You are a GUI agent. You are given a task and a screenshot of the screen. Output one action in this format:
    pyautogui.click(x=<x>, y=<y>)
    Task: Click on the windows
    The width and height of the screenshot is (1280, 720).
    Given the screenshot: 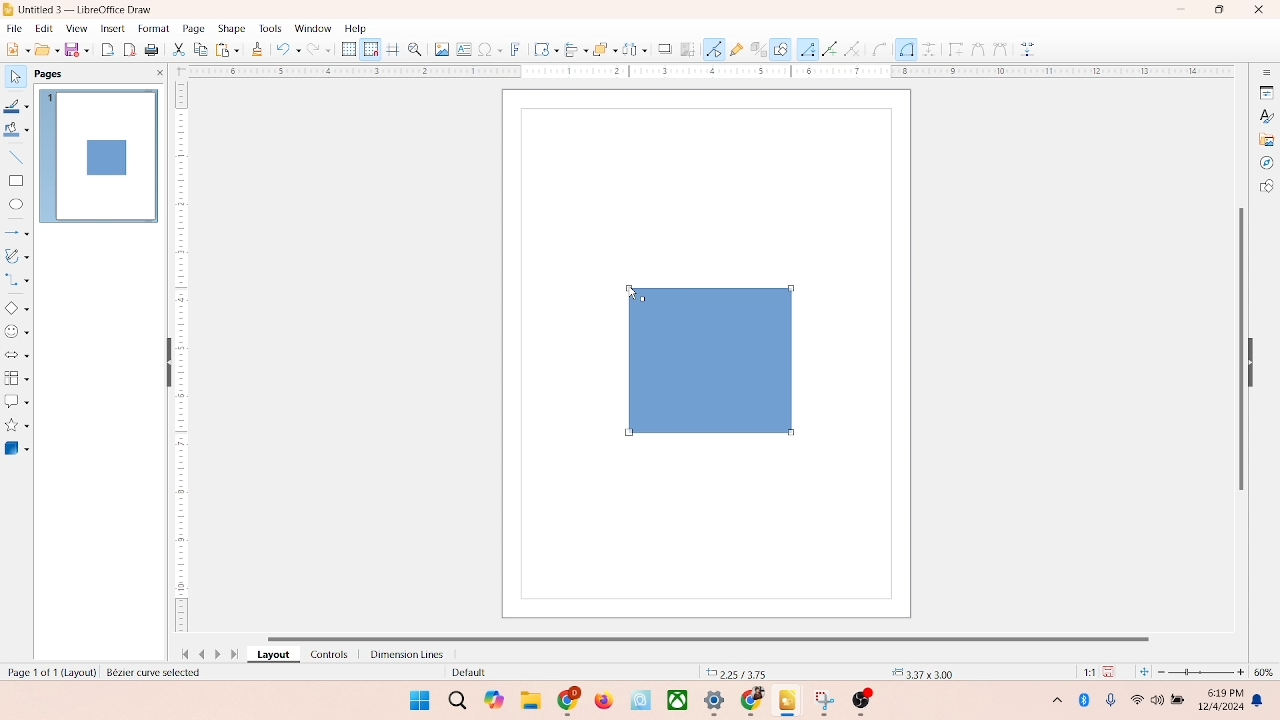 What is the action you would take?
    pyautogui.click(x=417, y=700)
    